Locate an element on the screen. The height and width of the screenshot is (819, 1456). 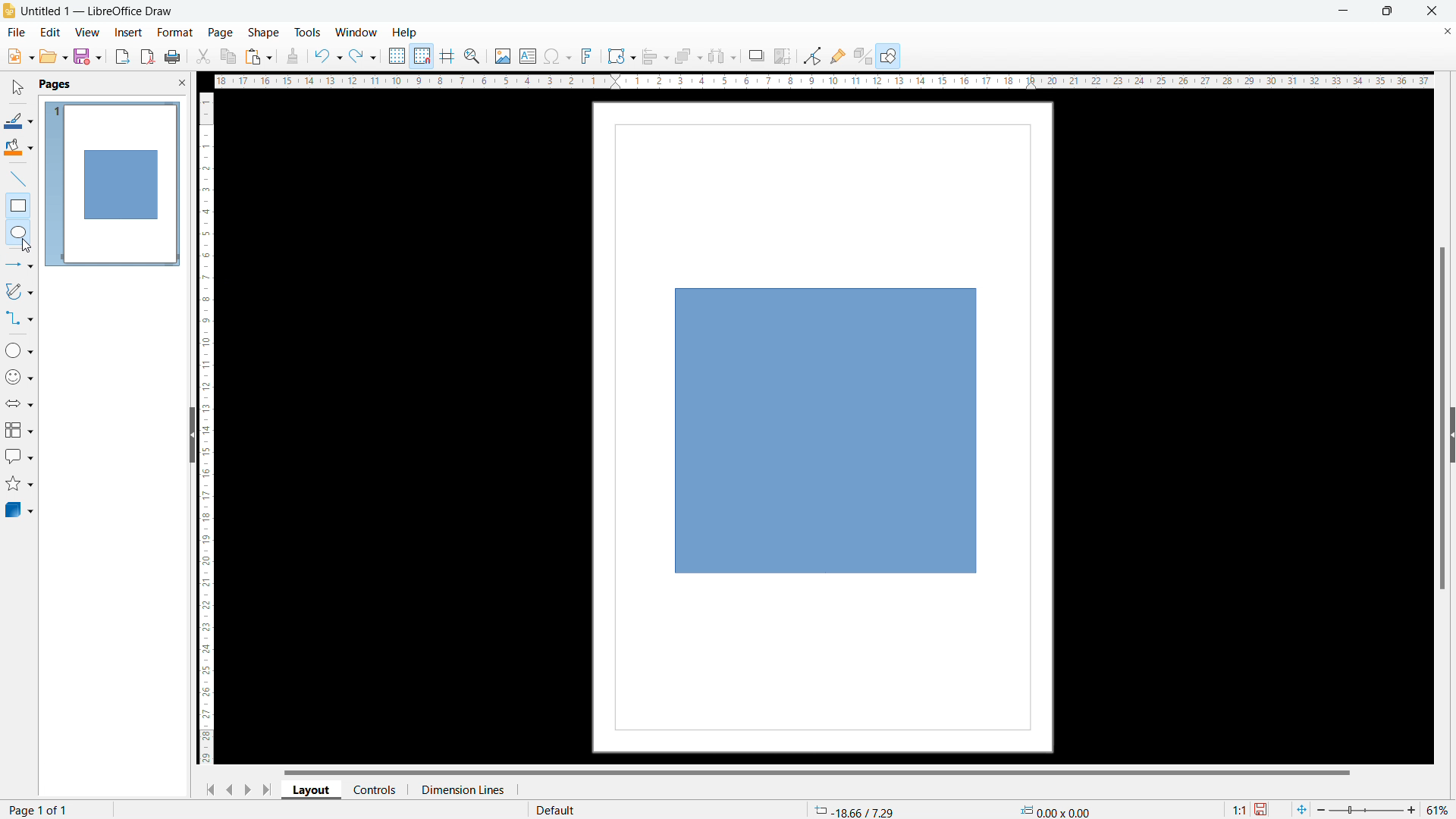
zoom in is located at coordinates (1412, 808).